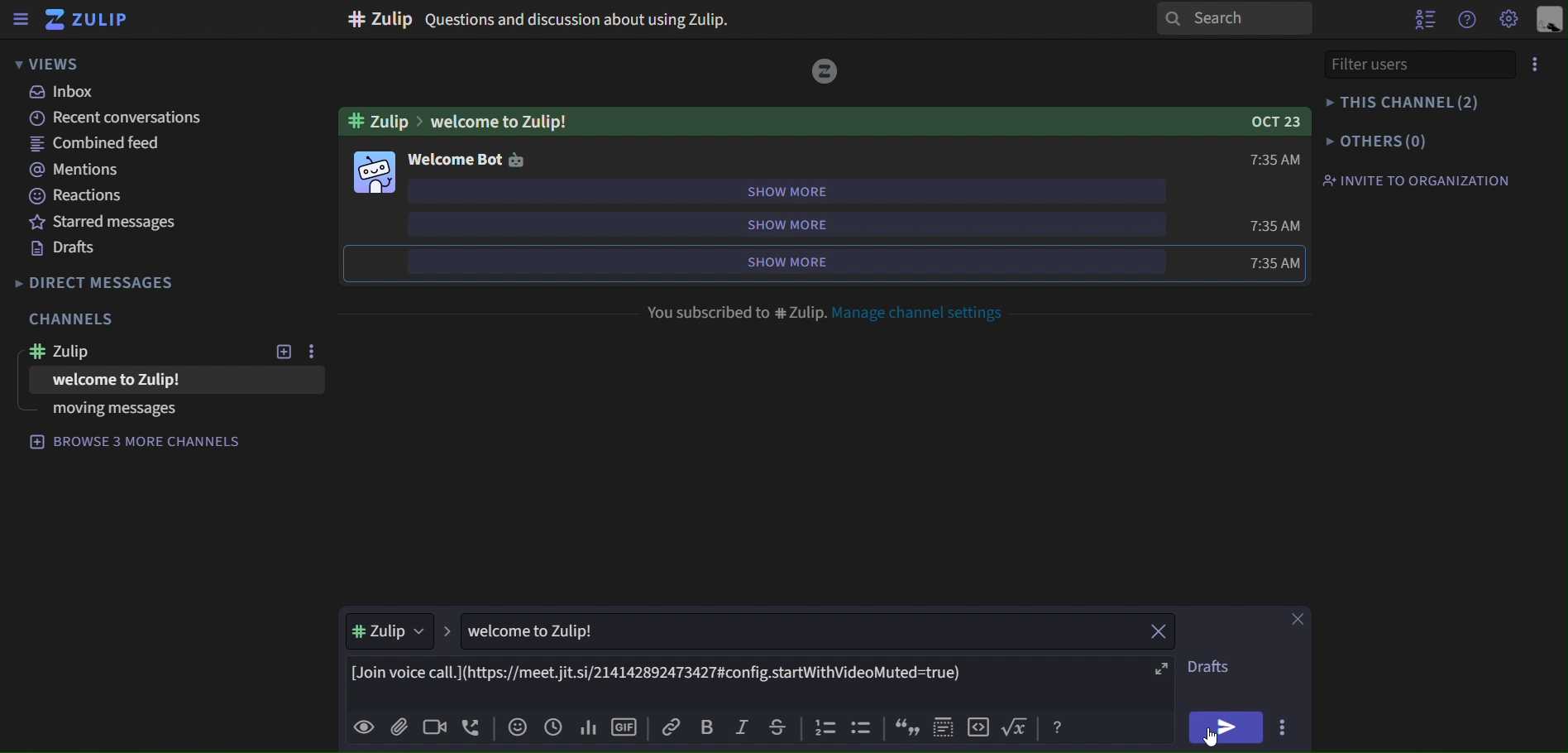  I want to click on , so click(1058, 727).